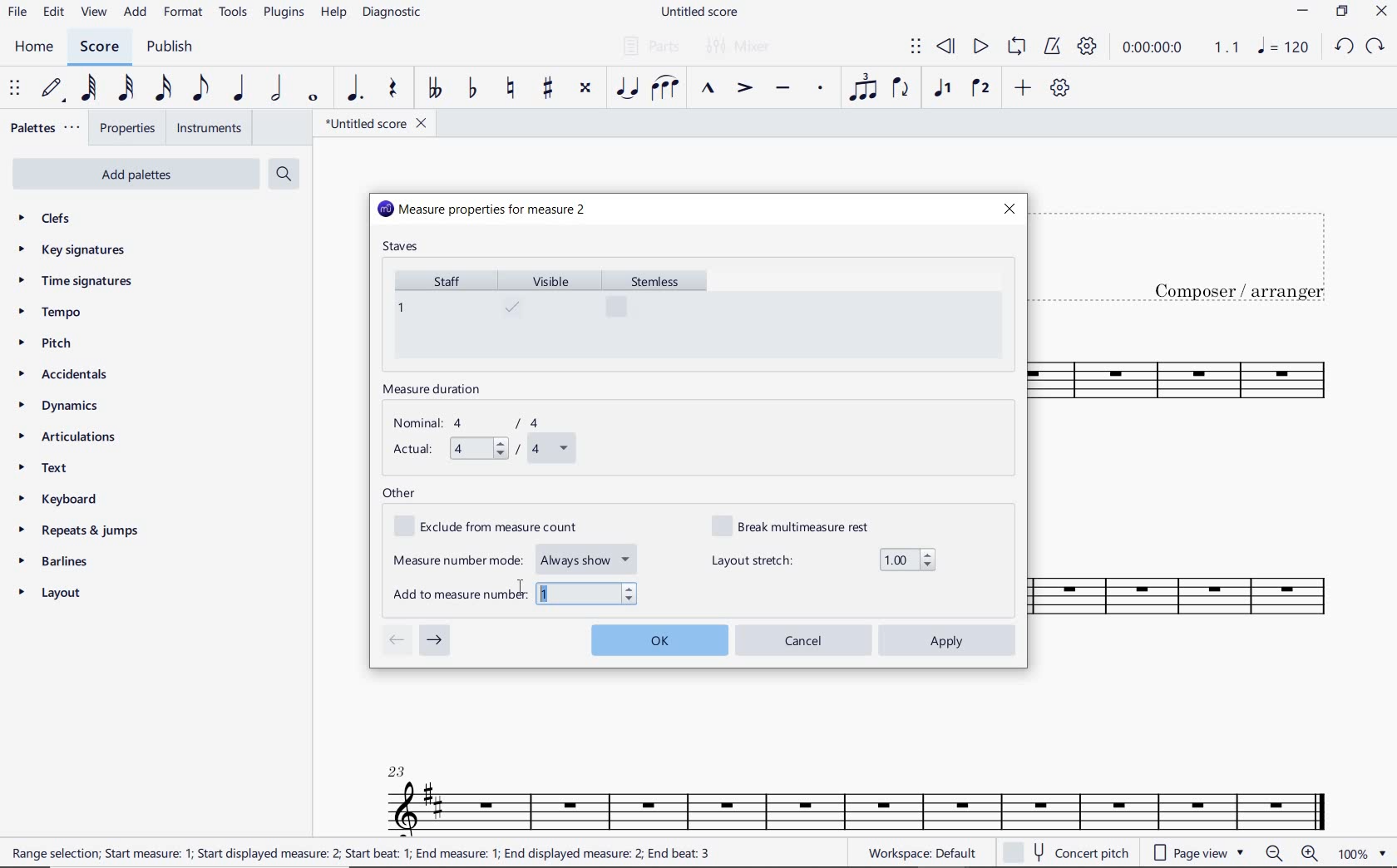 Image resolution: width=1397 pixels, height=868 pixels. I want to click on FILE, so click(17, 13).